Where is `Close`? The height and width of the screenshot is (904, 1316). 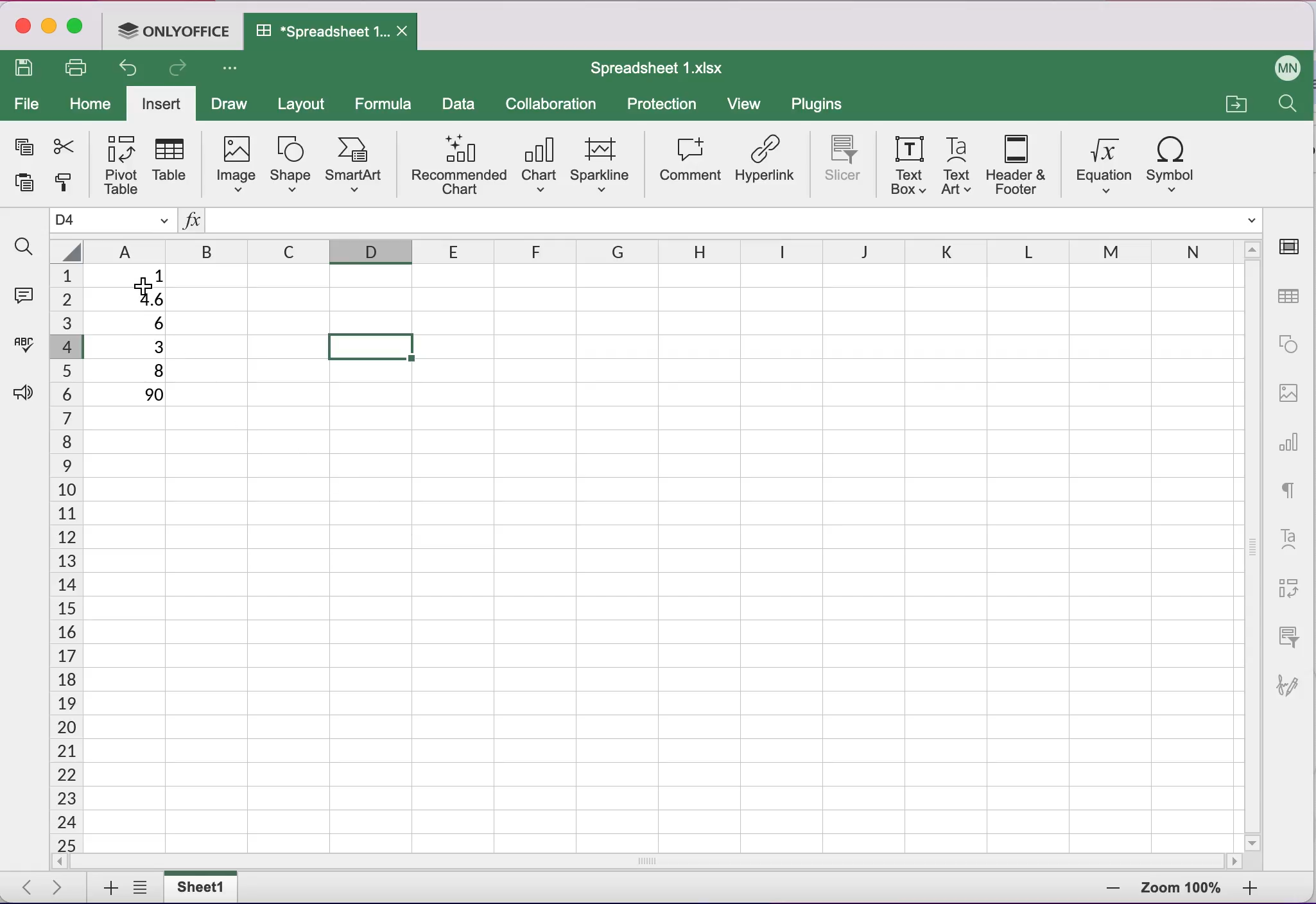
Close is located at coordinates (407, 31).